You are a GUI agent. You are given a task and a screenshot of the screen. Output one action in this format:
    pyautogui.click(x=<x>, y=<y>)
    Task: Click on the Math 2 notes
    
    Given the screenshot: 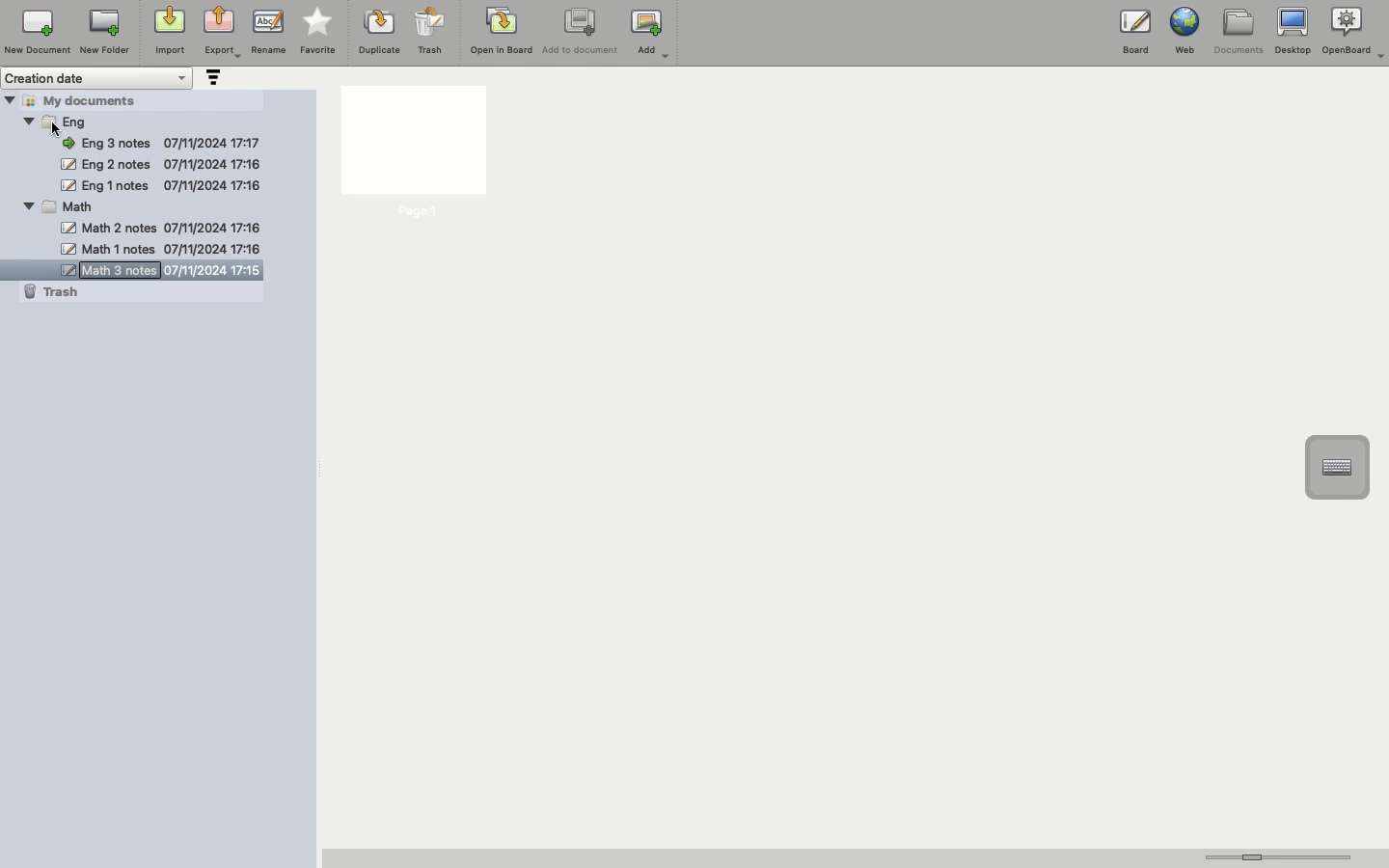 What is the action you would take?
    pyautogui.click(x=175, y=144)
    